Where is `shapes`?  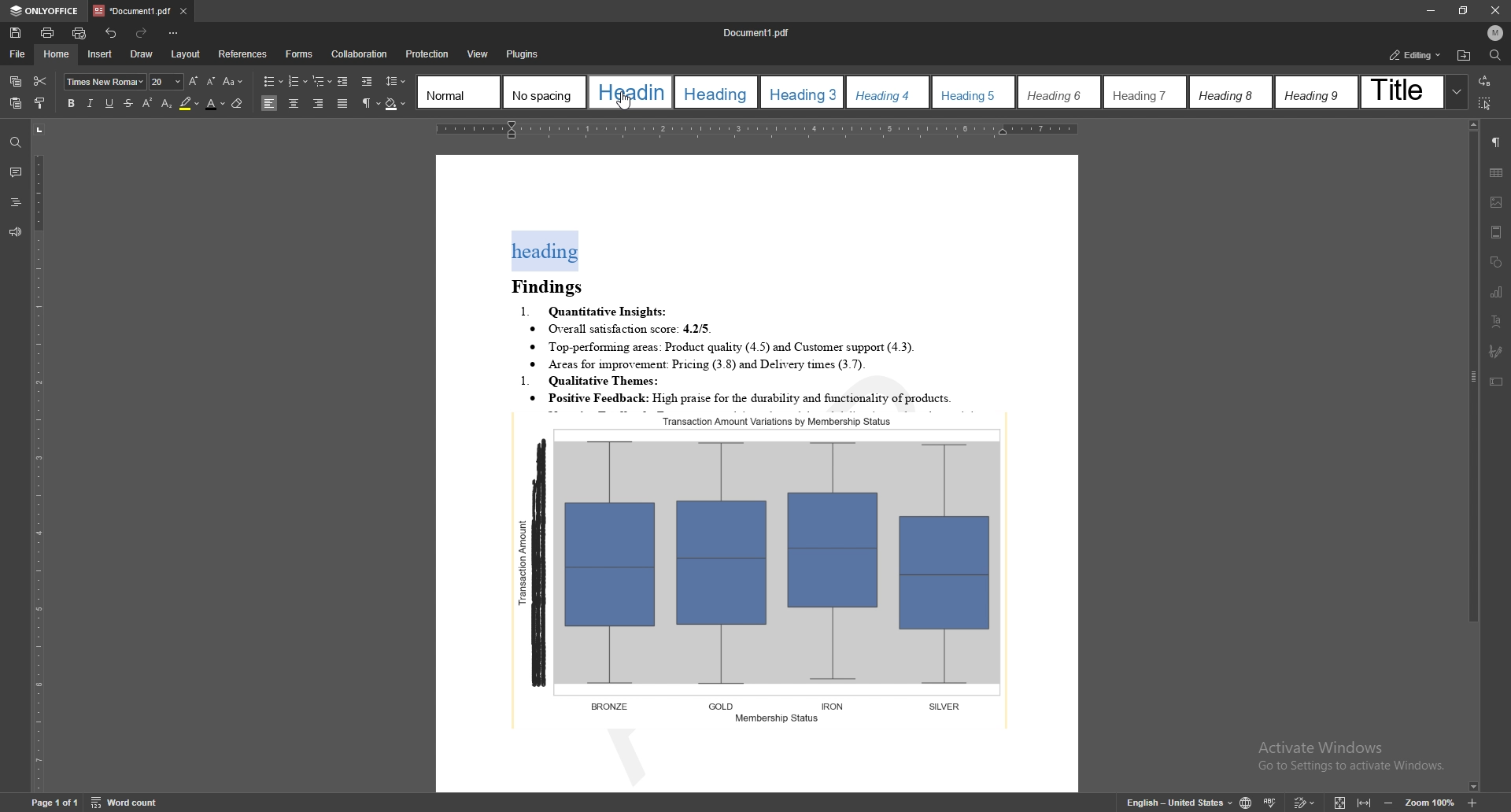
shapes is located at coordinates (1498, 263).